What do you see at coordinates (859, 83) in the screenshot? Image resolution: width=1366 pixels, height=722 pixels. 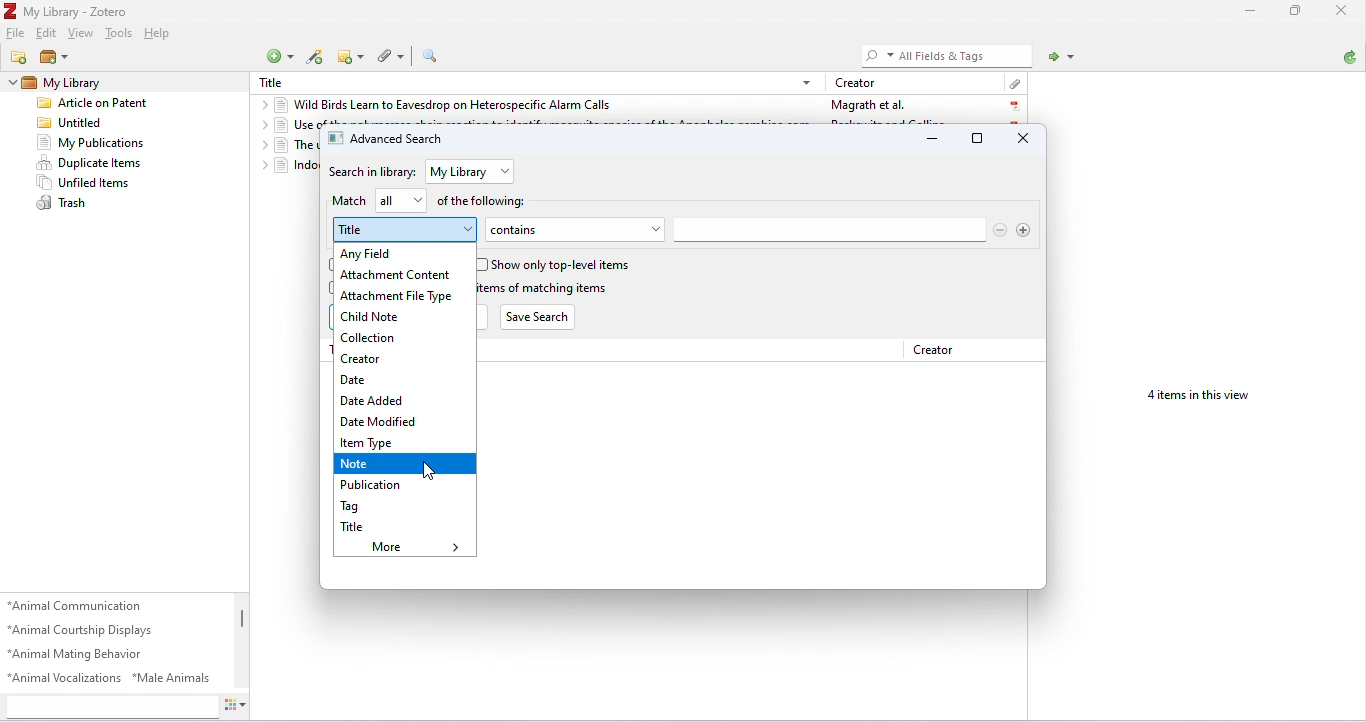 I see `creator` at bounding box center [859, 83].